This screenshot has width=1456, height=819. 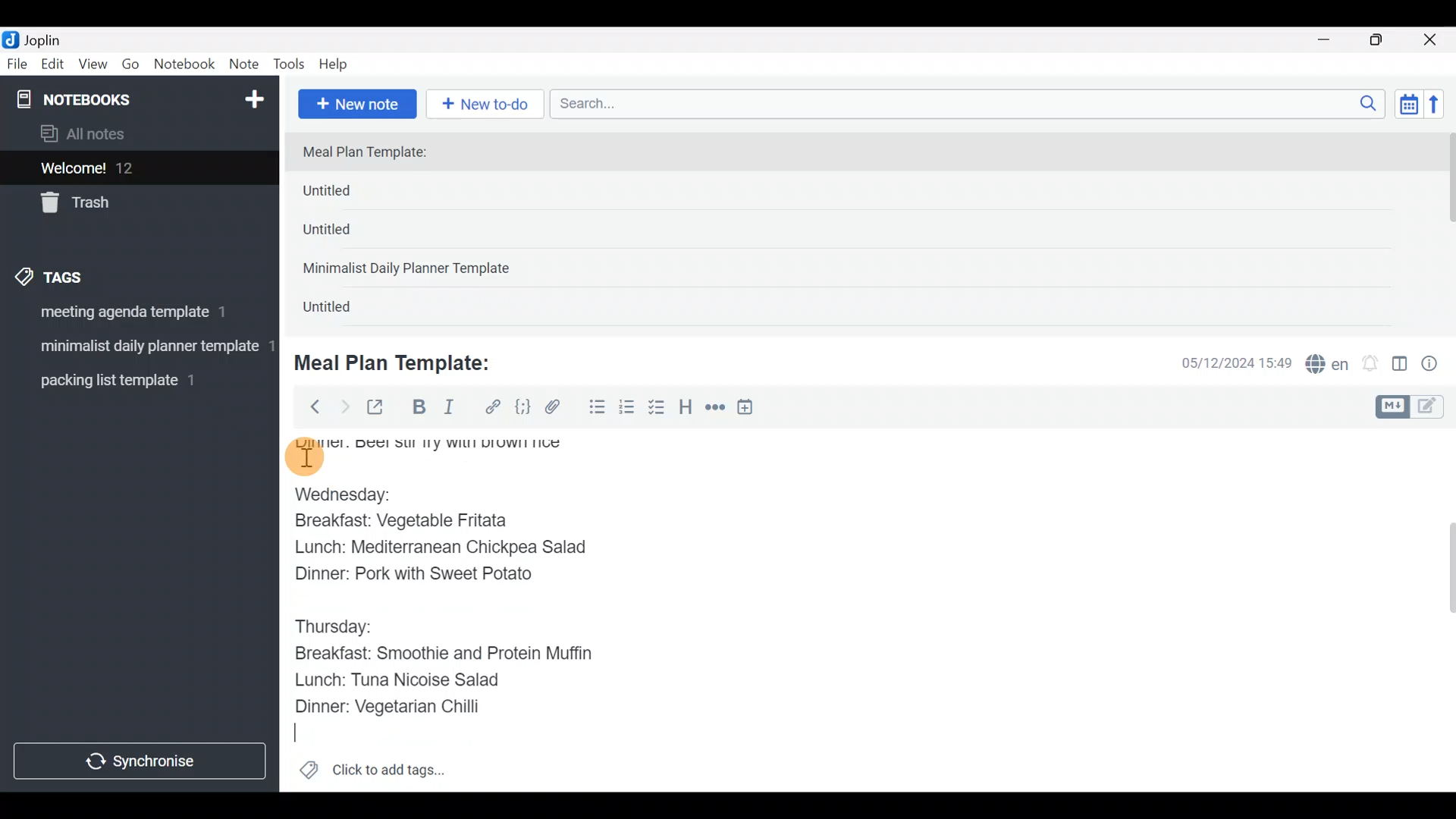 I want to click on Bold, so click(x=418, y=409).